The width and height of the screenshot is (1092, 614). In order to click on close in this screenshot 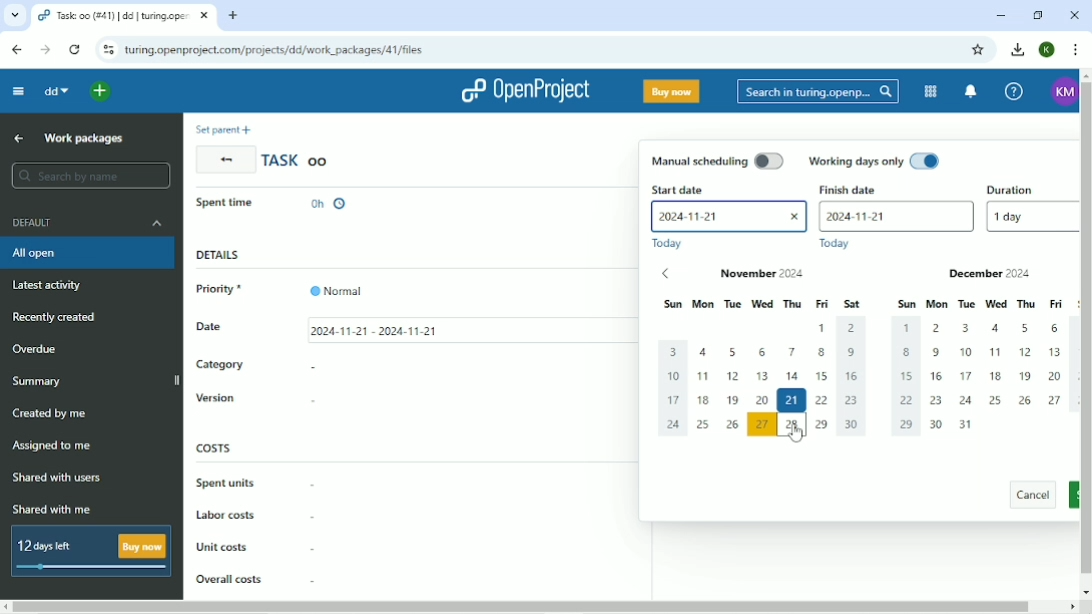, I will do `click(792, 219)`.